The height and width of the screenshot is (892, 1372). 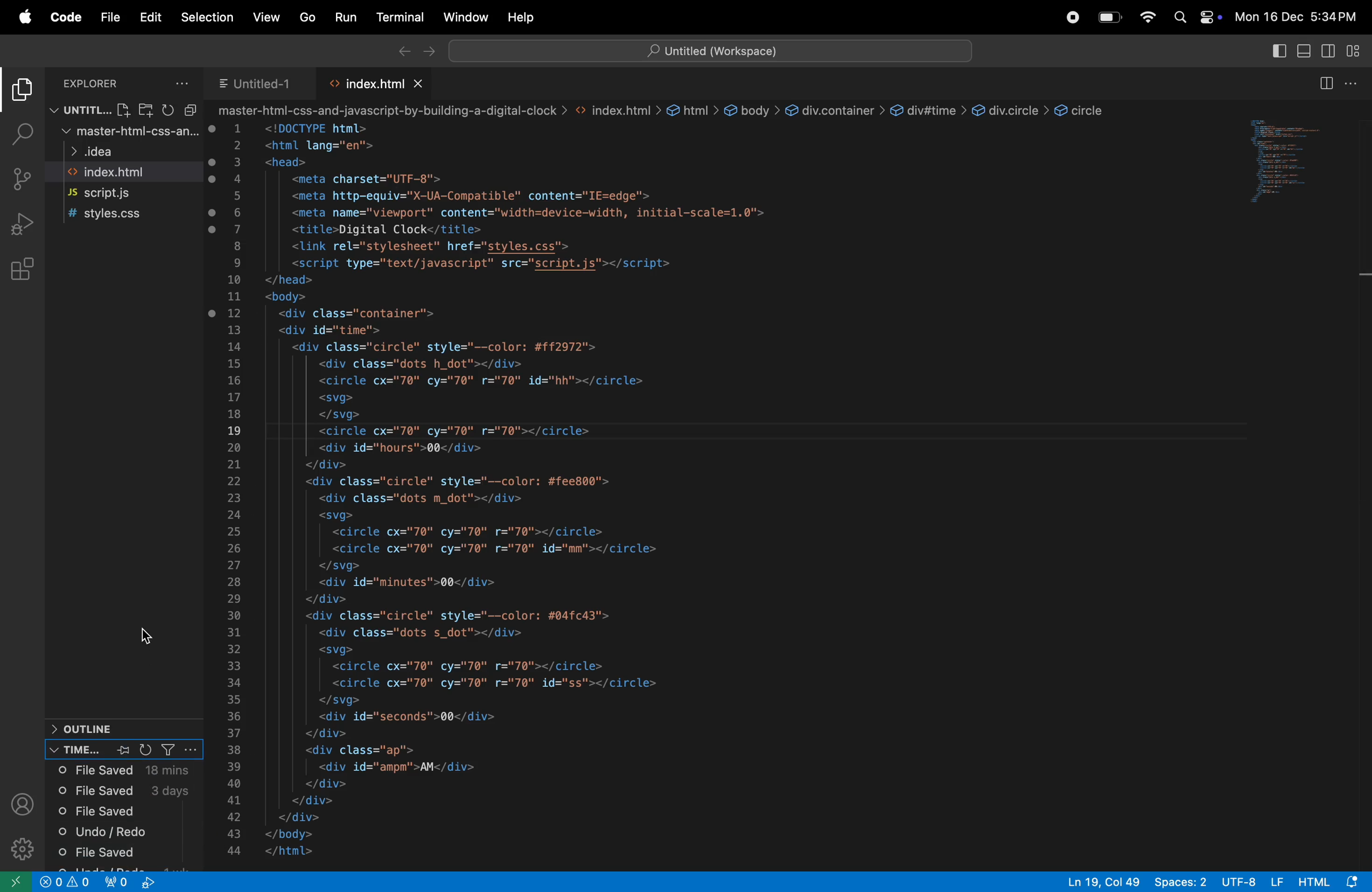 What do you see at coordinates (1148, 17) in the screenshot?
I see `wifi` at bounding box center [1148, 17].